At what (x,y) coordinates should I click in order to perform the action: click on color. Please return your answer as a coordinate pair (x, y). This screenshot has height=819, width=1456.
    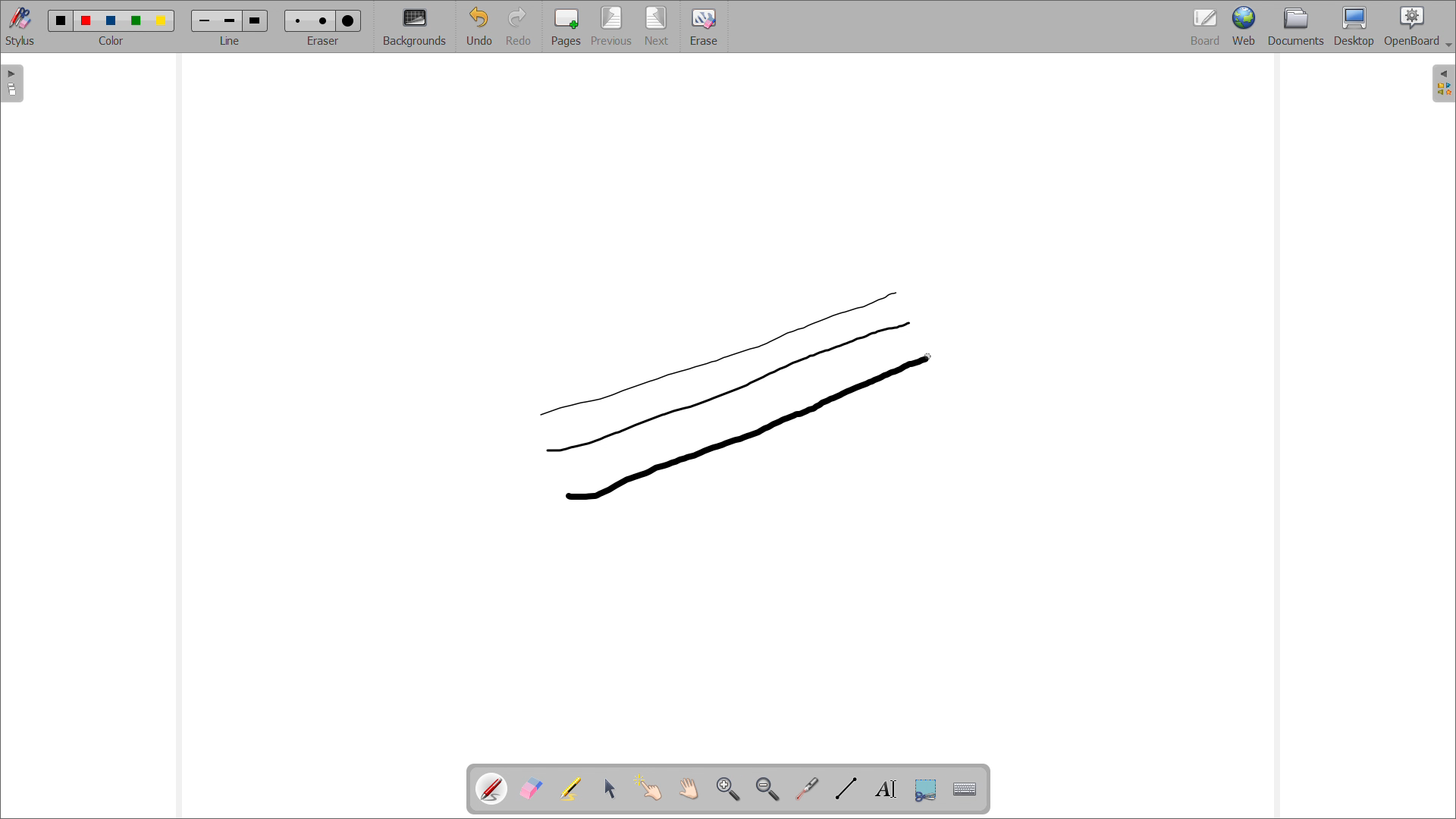
    Looking at the image, I should click on (114, 20).